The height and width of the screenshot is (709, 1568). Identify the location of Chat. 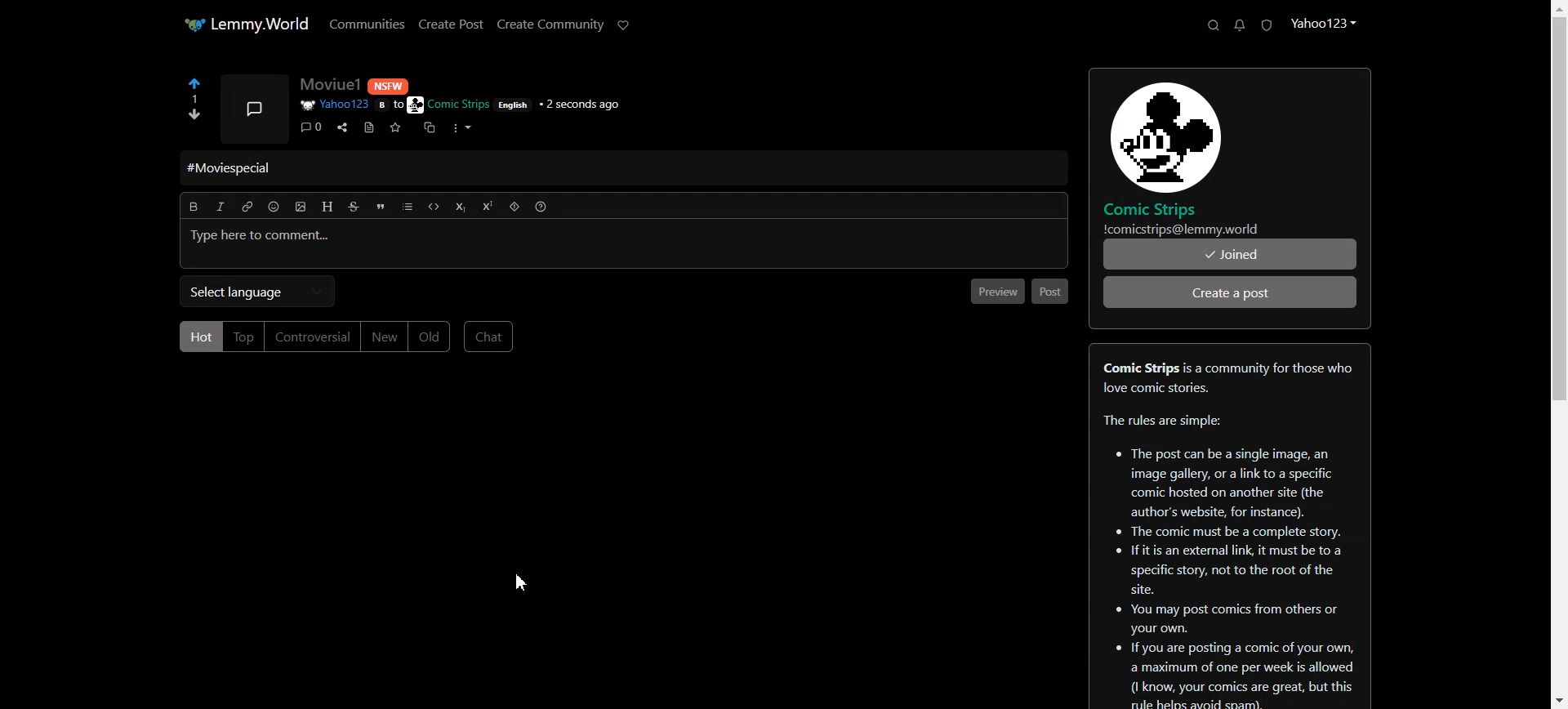
(491, 337).